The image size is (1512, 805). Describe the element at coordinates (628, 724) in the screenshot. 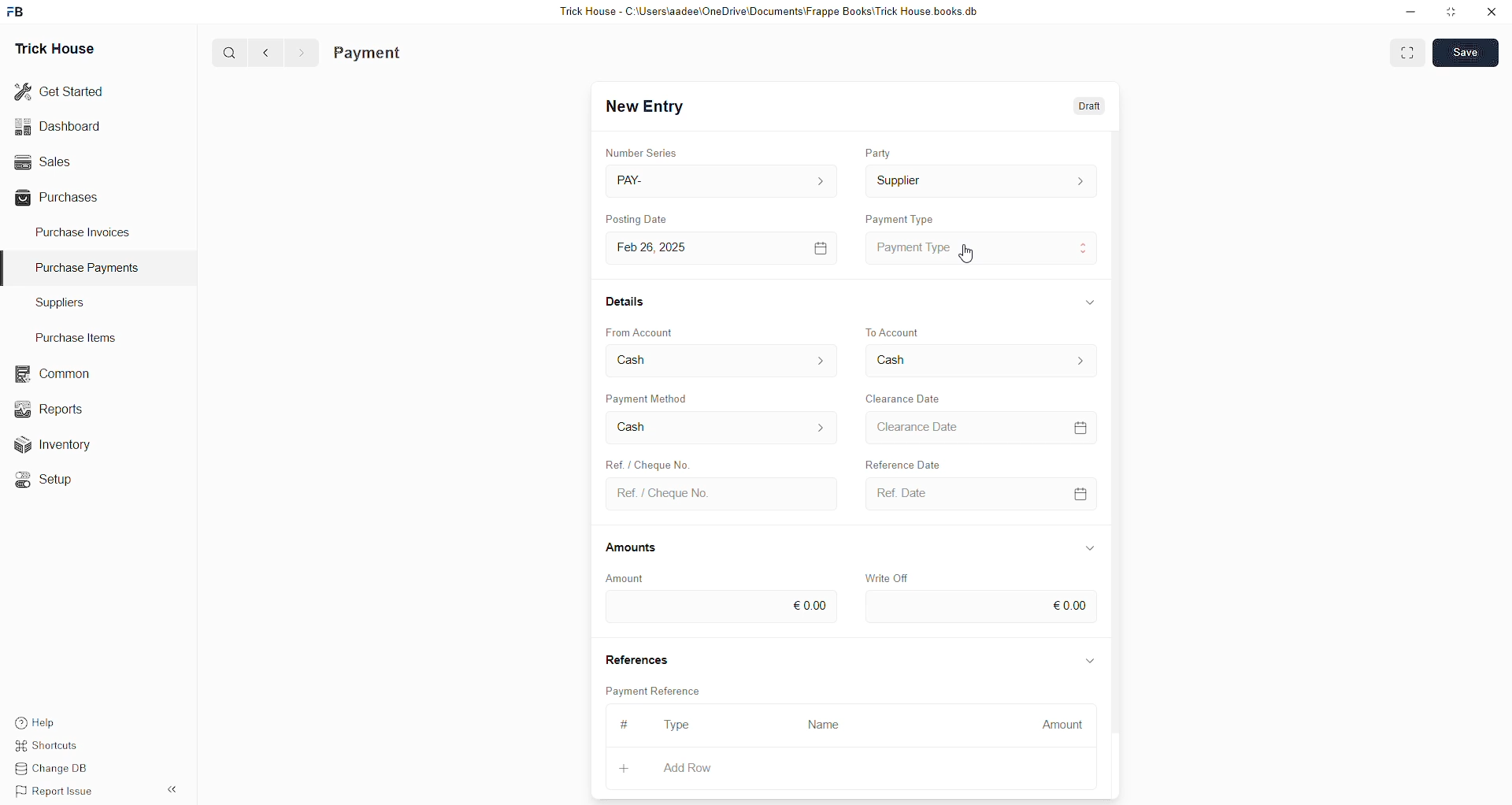

I see `#` at that location.